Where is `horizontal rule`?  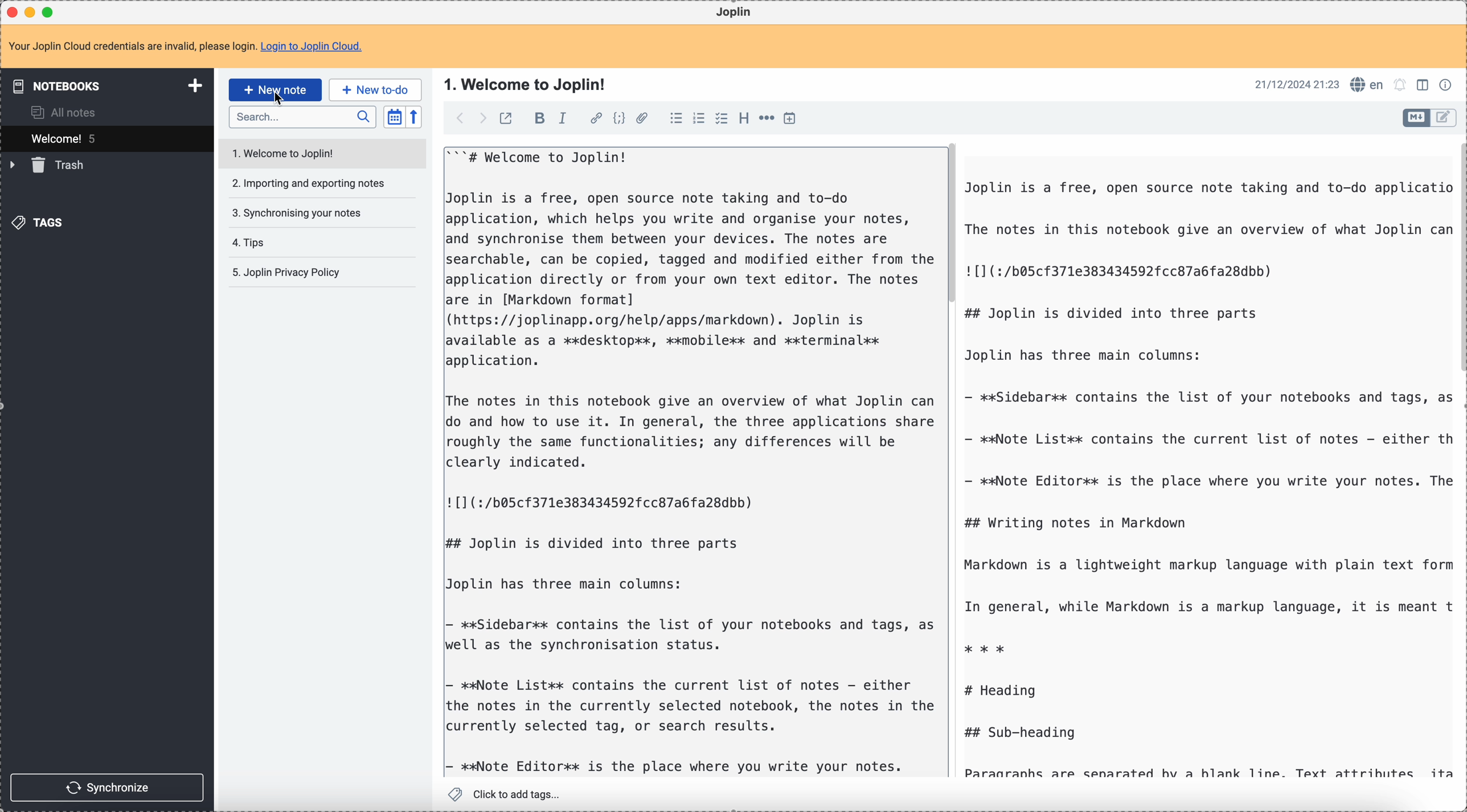
horizontal rule is located at coordinates (768, 119).